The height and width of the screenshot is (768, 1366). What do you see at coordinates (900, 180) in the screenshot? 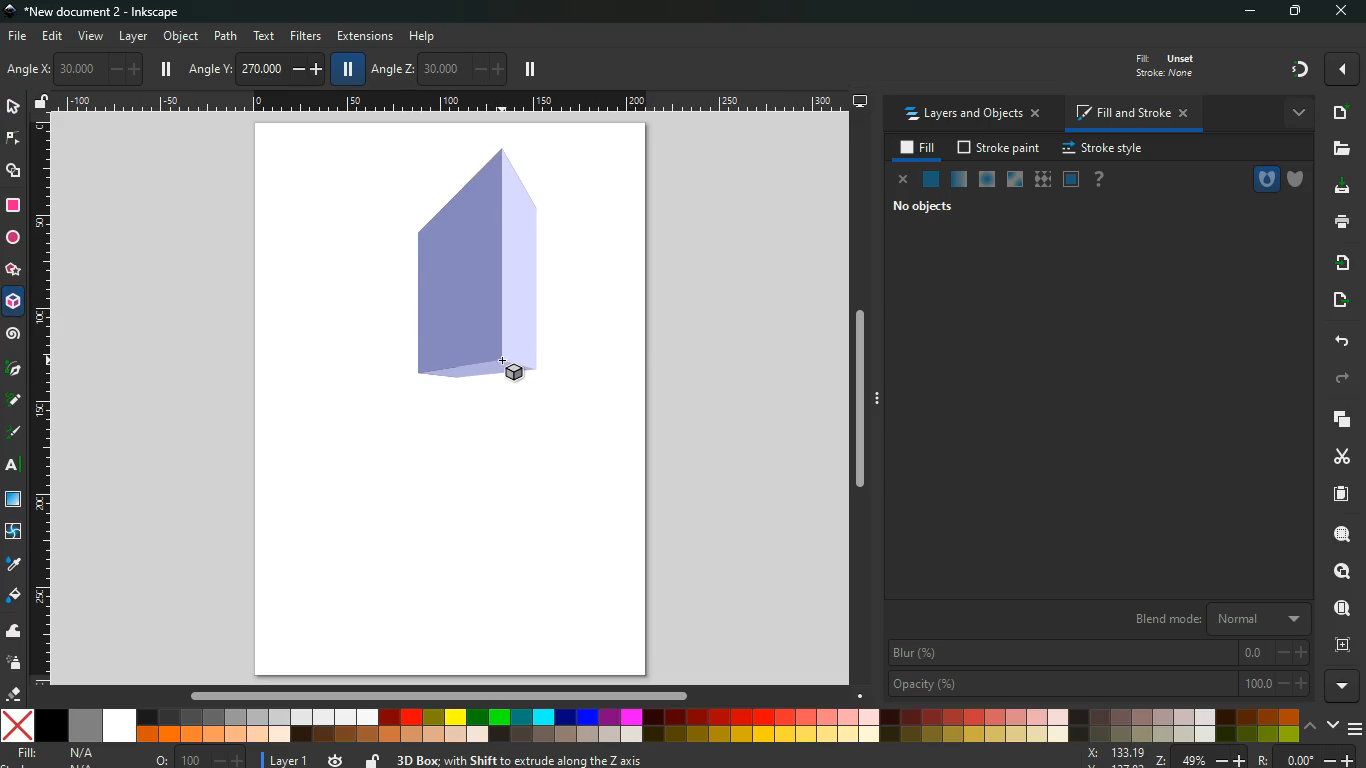
I see `cancel` at bounding box center [900, 180].